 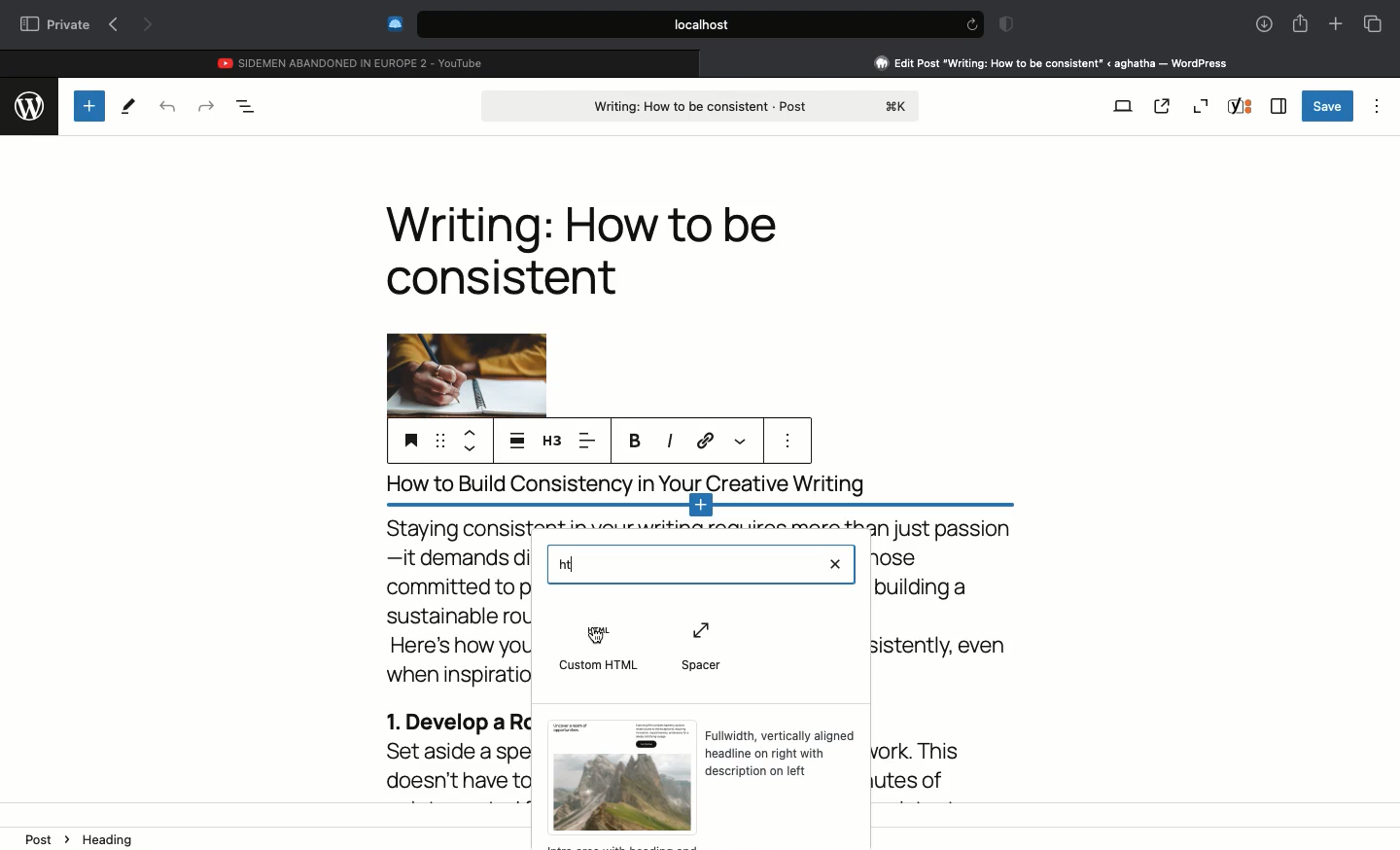 What do you see at coordinates (87, 105) in the screenshot?
I see `Add new block` at bounding box center [87, 105].